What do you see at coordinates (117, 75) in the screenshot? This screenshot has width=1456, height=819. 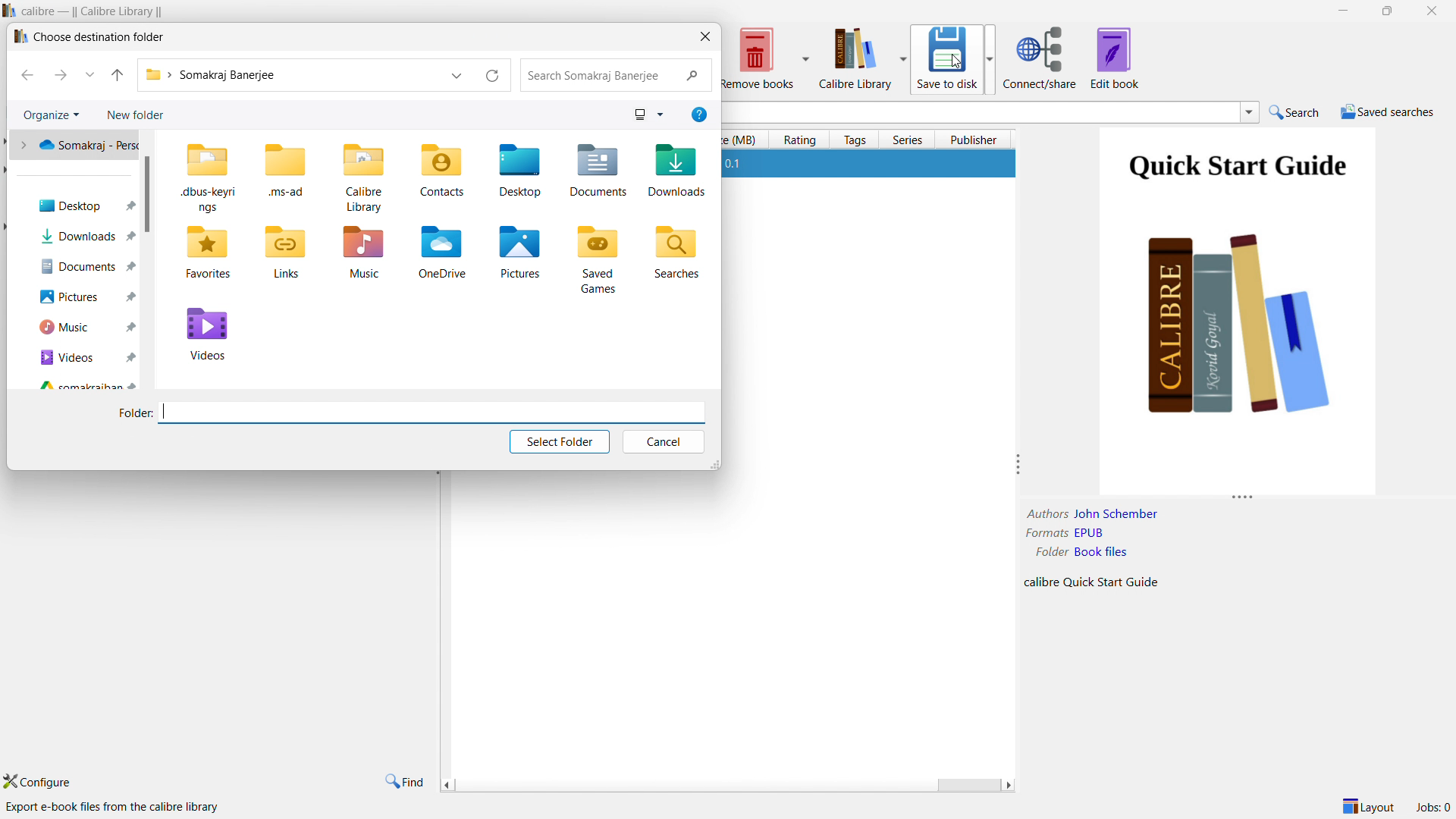 I see `go to originating folder` at bounding box center [117, 75].